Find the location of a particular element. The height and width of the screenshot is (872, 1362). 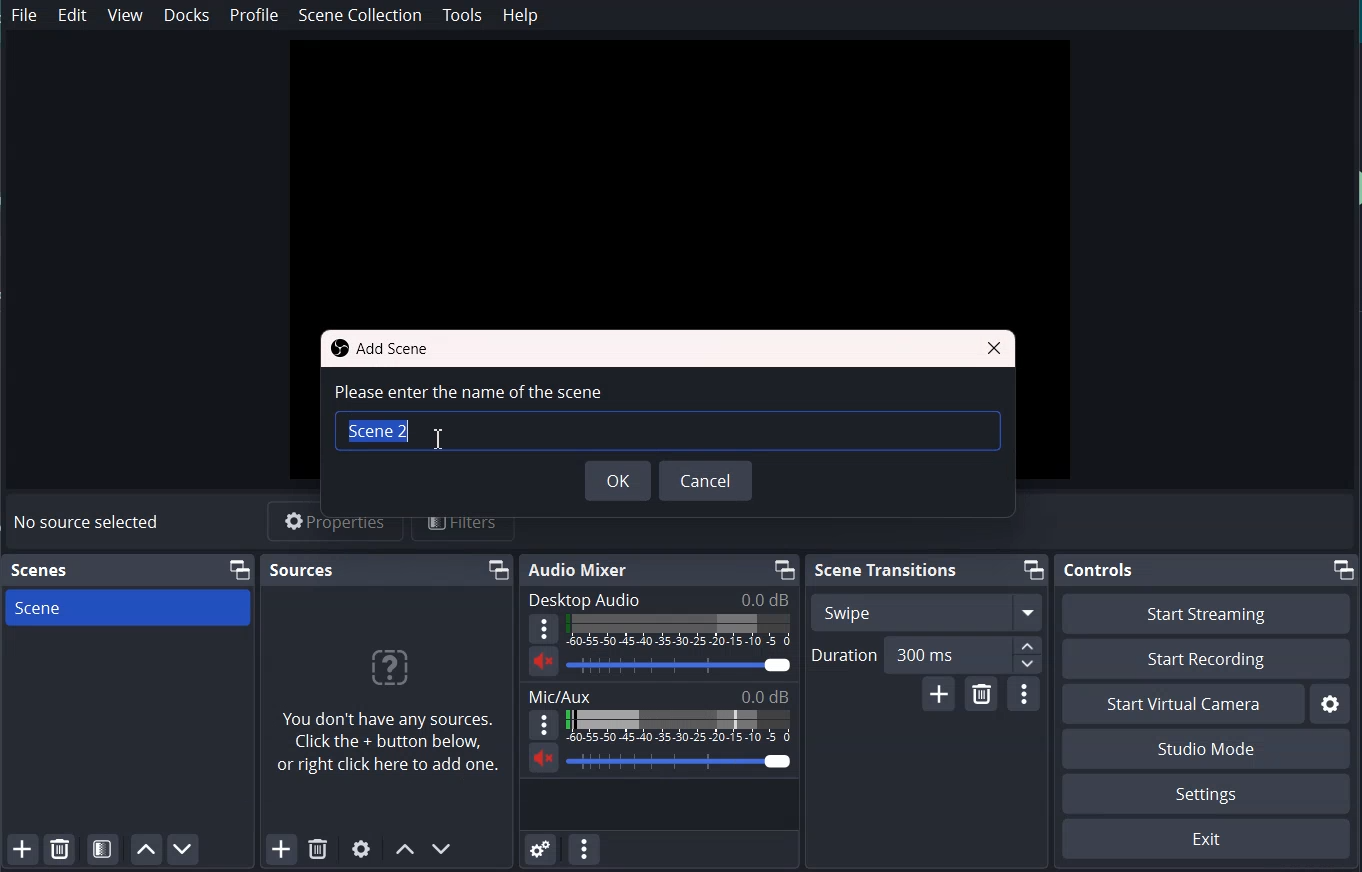

Remove Selected Source is located at coordinates (317, 850).